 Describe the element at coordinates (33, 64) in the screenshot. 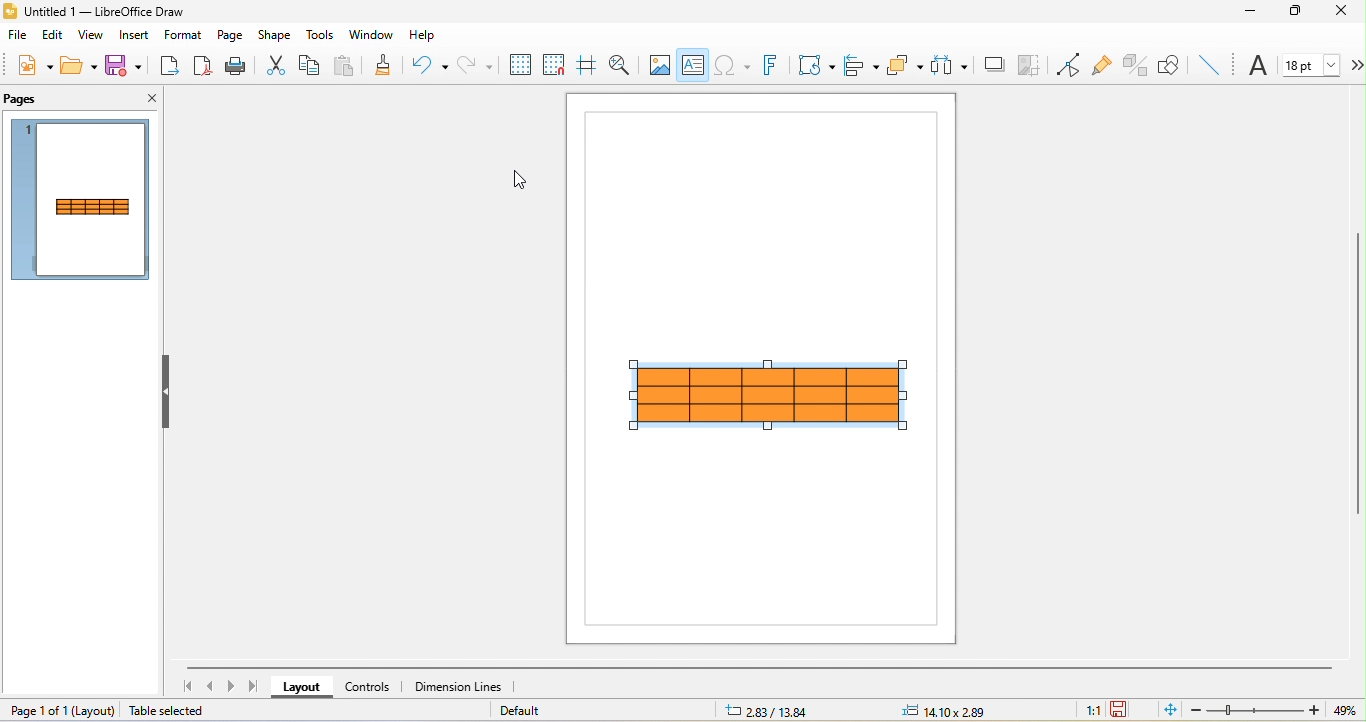

I see `new` at that location.